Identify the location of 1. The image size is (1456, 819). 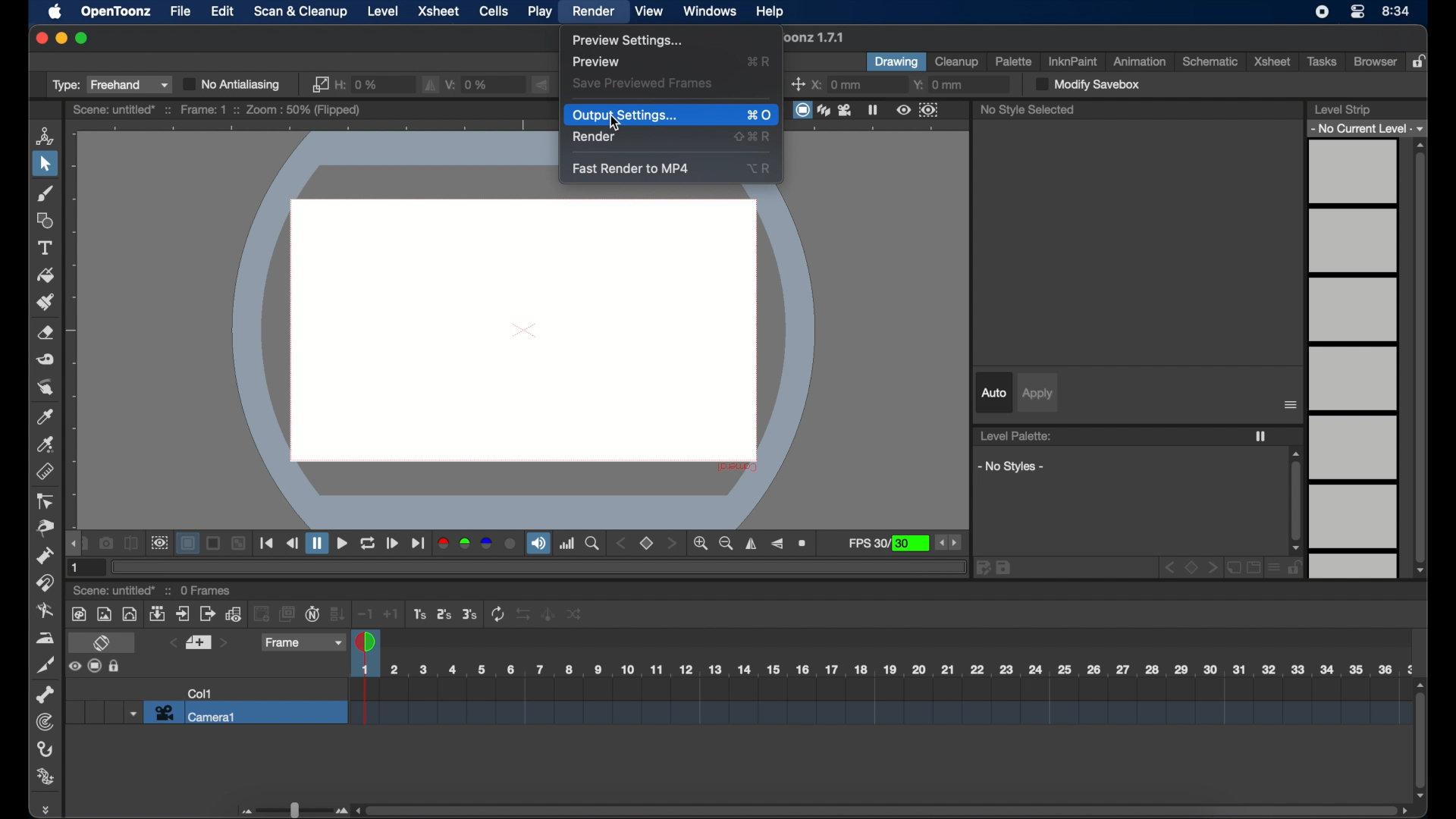
(77, 568).